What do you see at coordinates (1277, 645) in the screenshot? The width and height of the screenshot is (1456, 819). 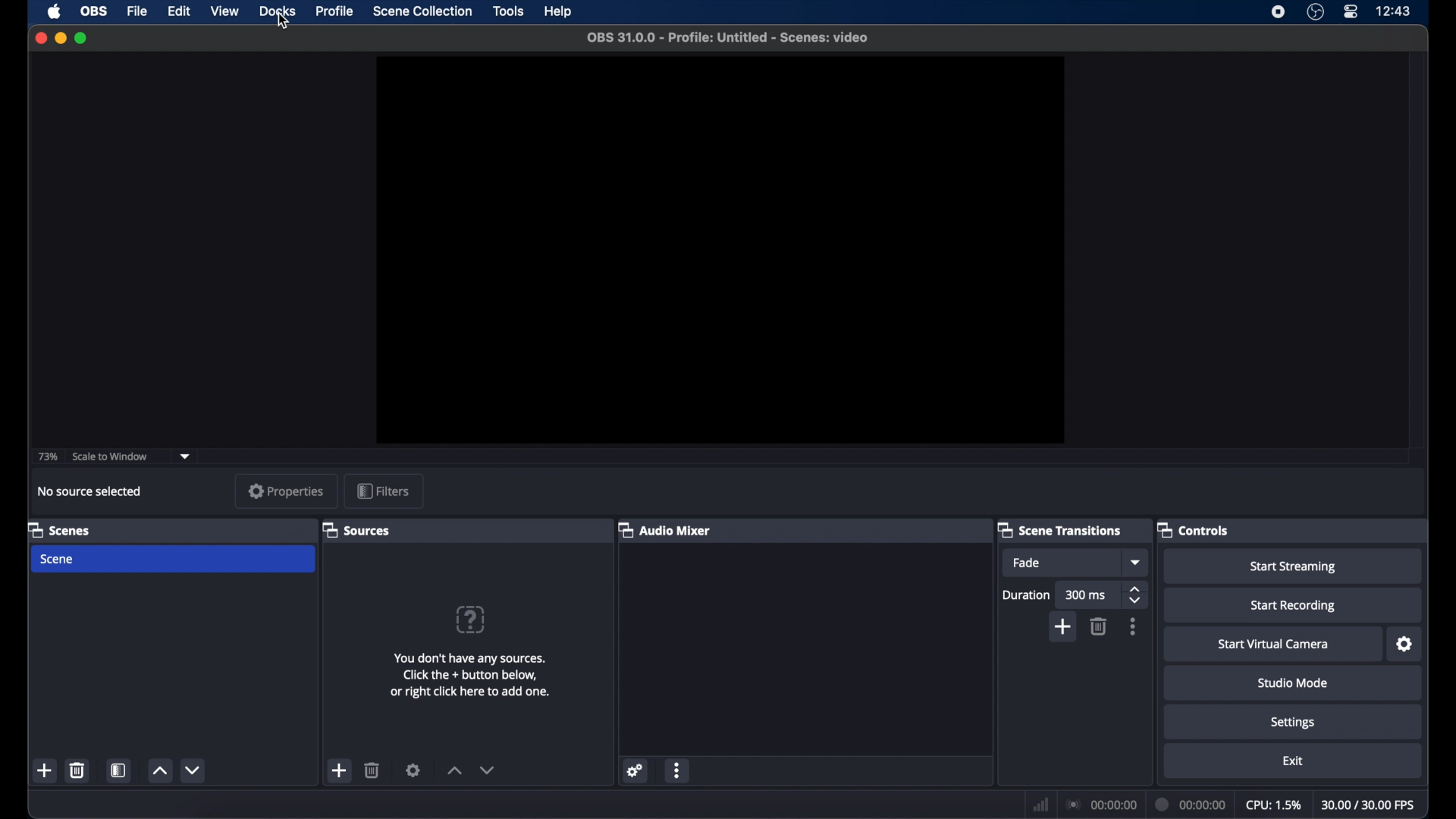 I see `start virtual camera` at bounding box center [1277, 645].